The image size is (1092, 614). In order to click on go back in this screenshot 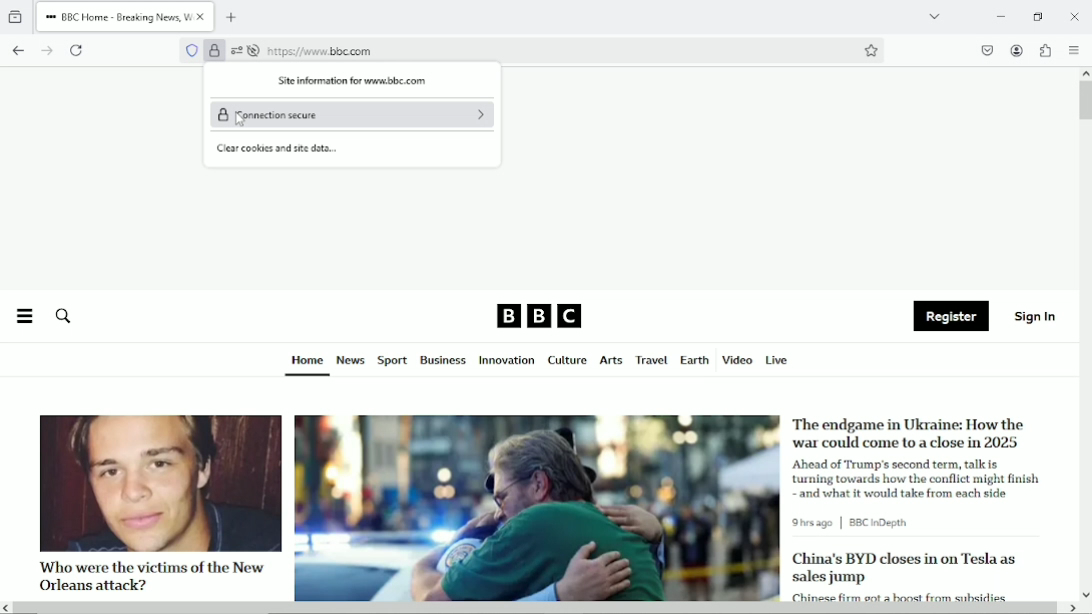, I will do `click(18, 49)`.